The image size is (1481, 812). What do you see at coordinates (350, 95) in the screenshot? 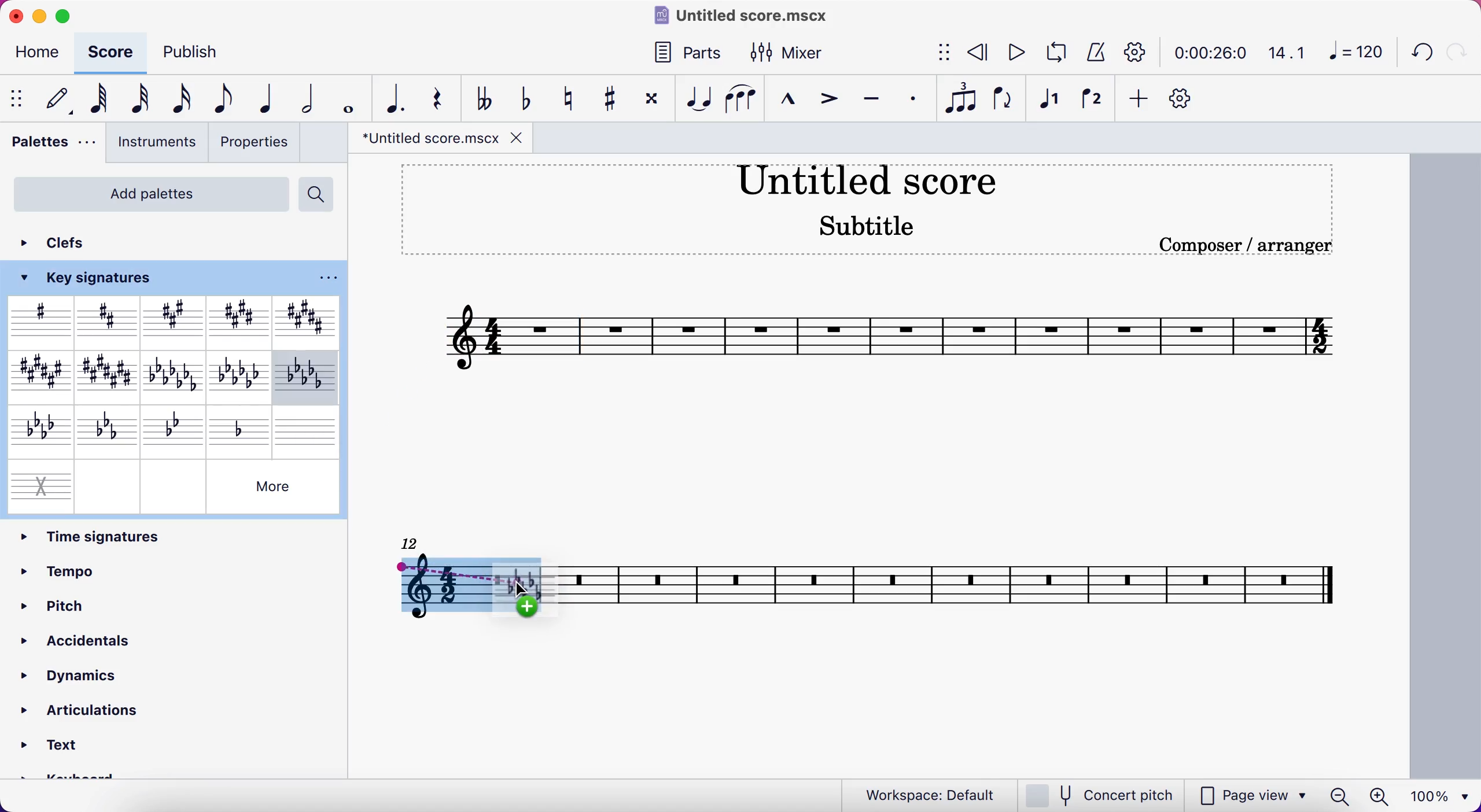
I see `whole note` at bounding box center [350, 95].